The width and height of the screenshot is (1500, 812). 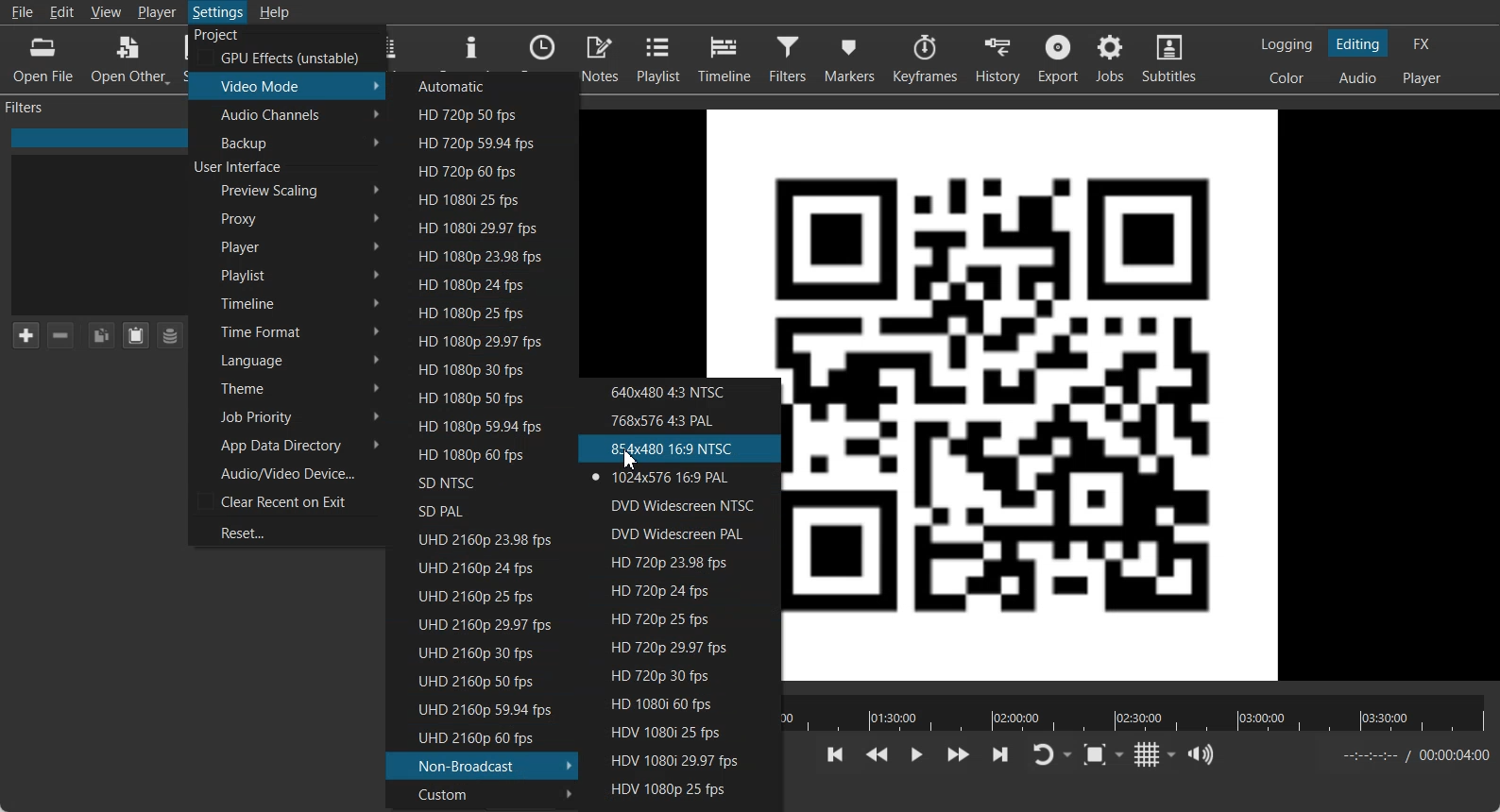 I want to click on DVD Widescreen NTSC, so click(x=681, y=504).